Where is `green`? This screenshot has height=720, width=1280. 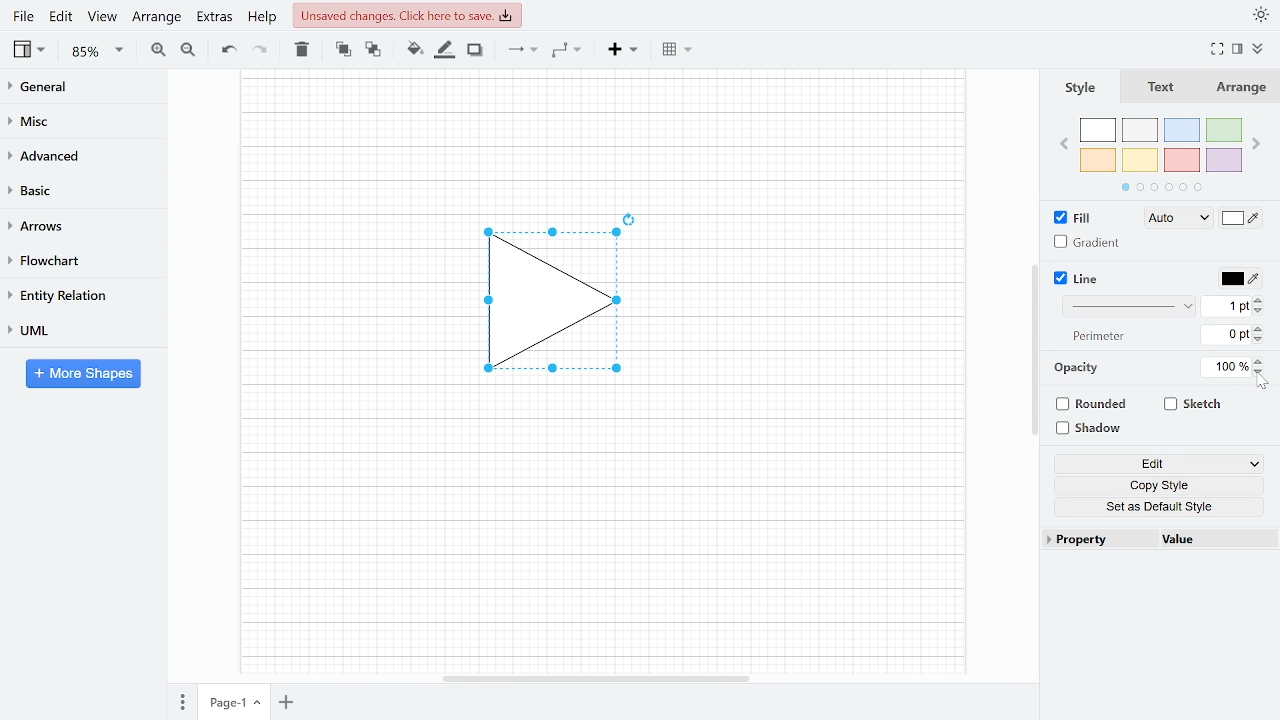
green is located at coordinates (1225, 131).